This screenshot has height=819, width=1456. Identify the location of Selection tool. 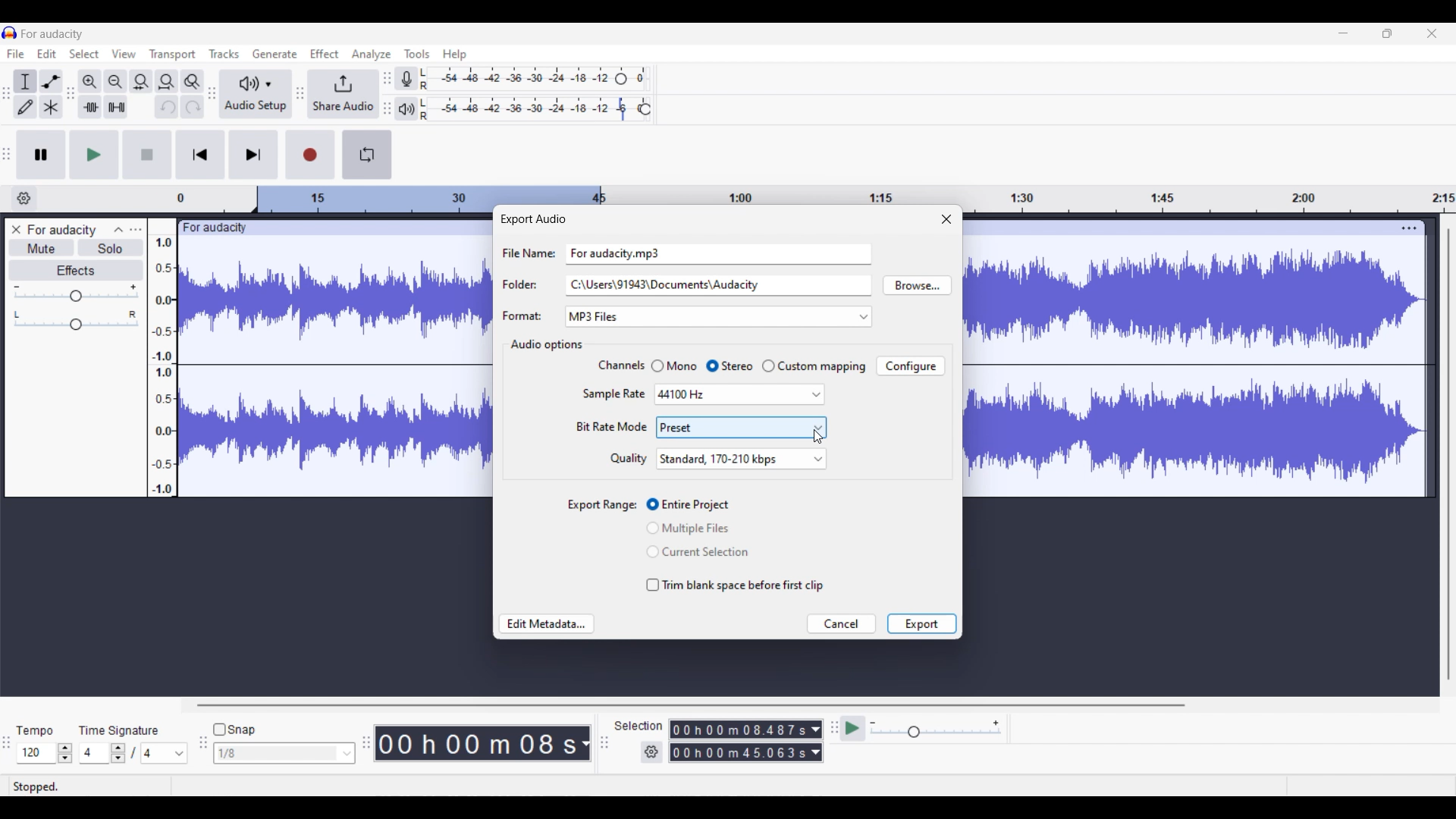
(24, 83).